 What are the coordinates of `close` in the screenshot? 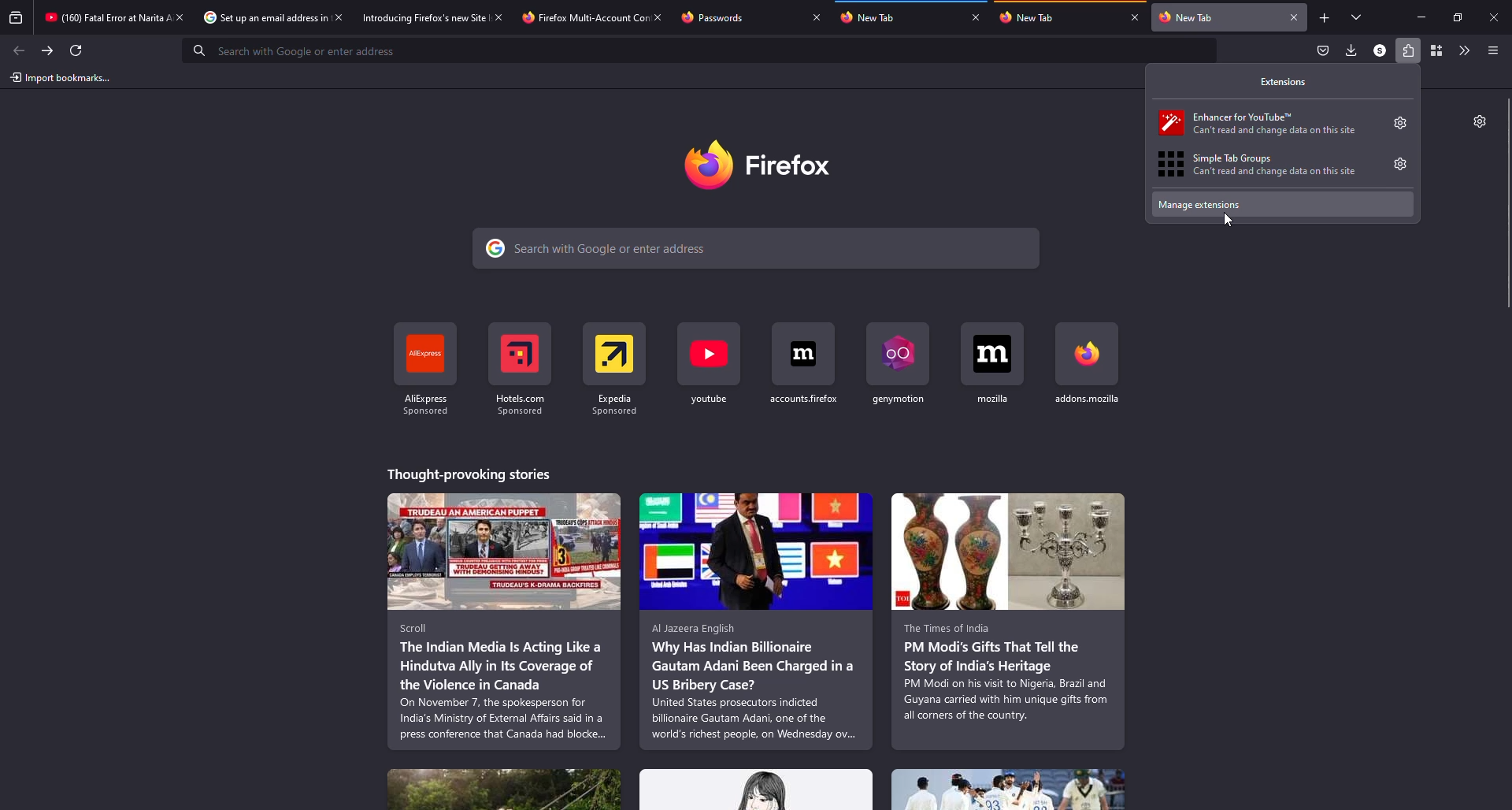 It's located at (339, 17).